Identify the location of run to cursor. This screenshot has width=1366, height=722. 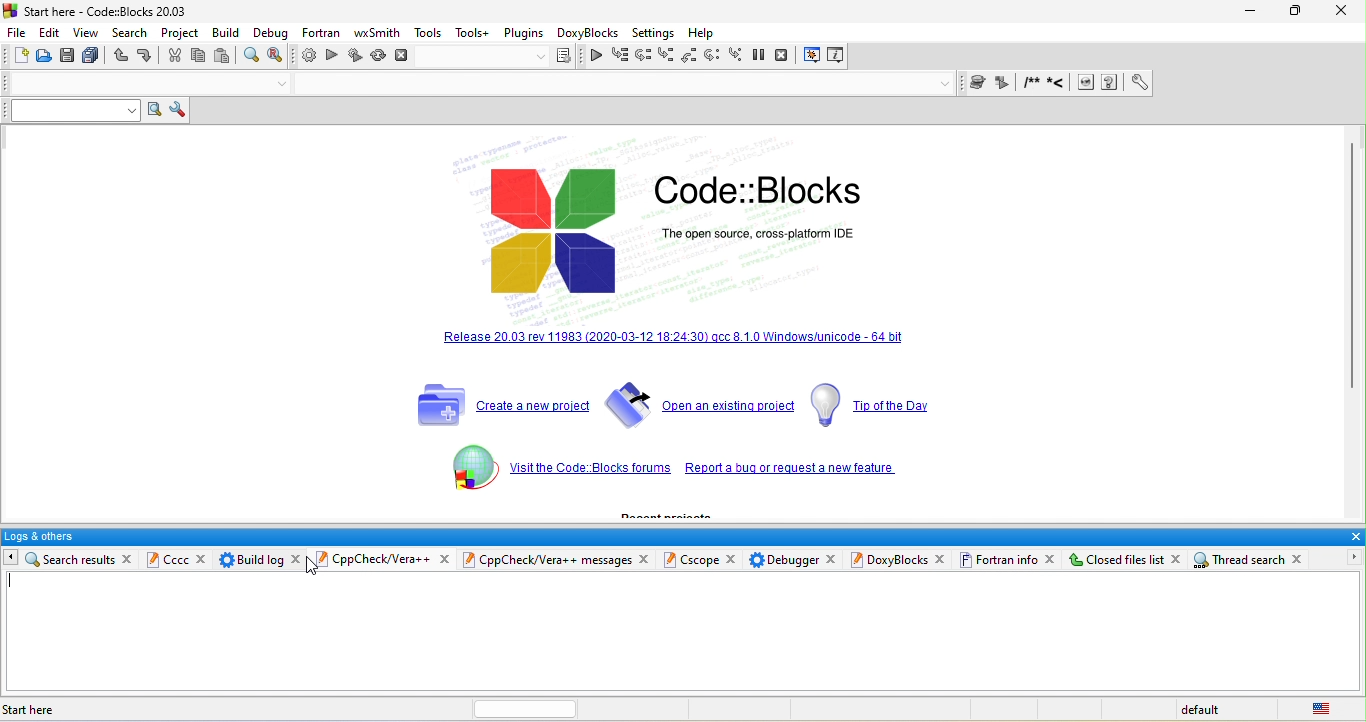
(619, 55).